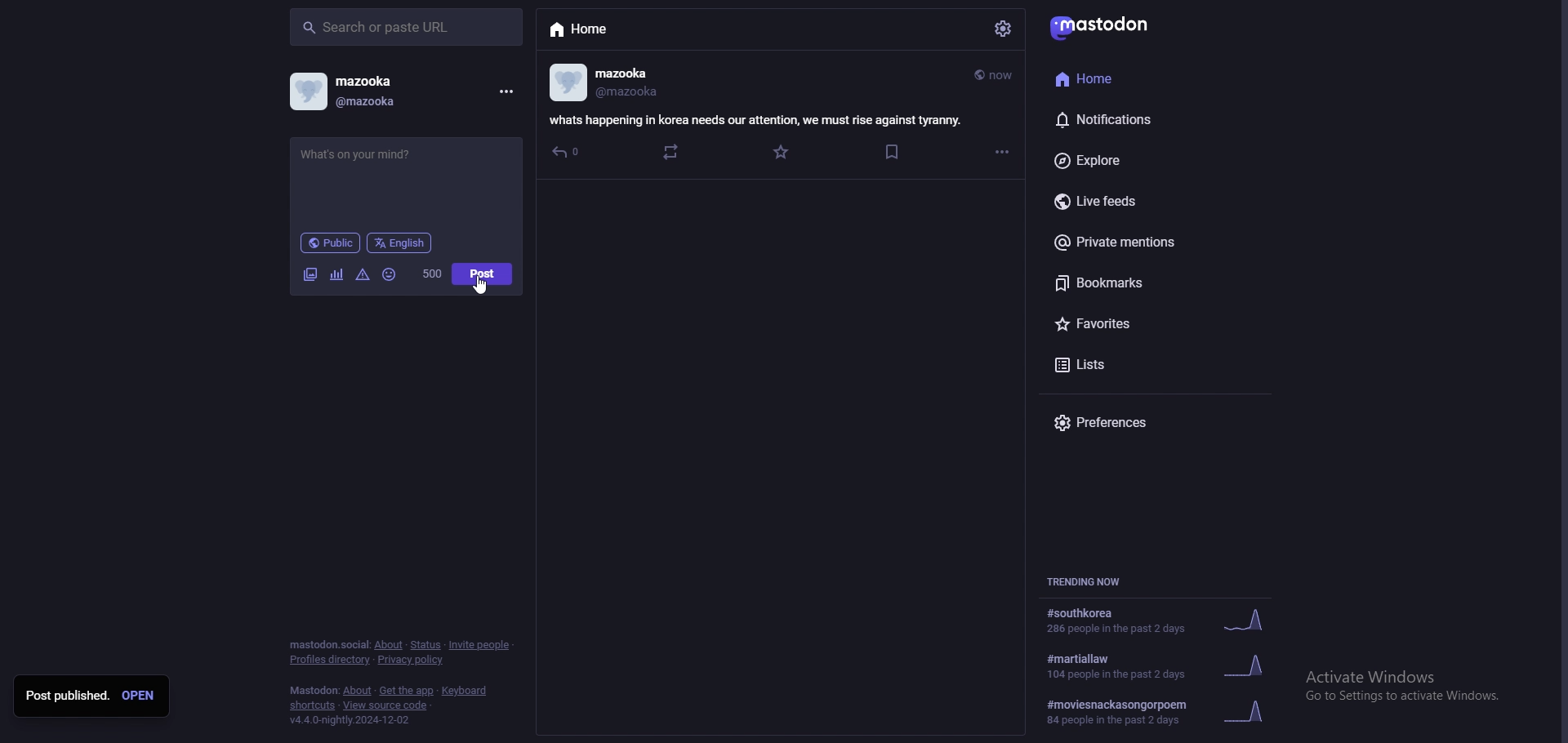  What do you see at coordinates (408, 691) in the screenshot?
I see `get the app` at bounding box center [408, 691].